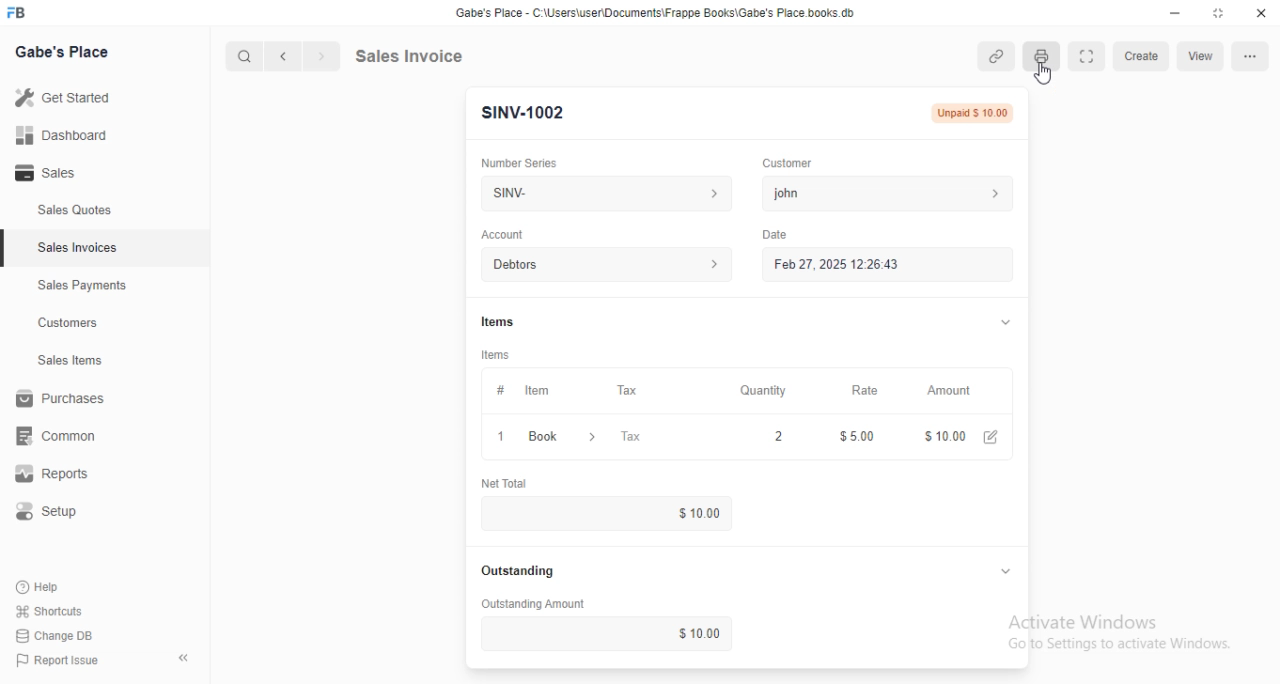  Describe the element at coordinates (579, 264) in the screenshot. I see `debtors` at that location.